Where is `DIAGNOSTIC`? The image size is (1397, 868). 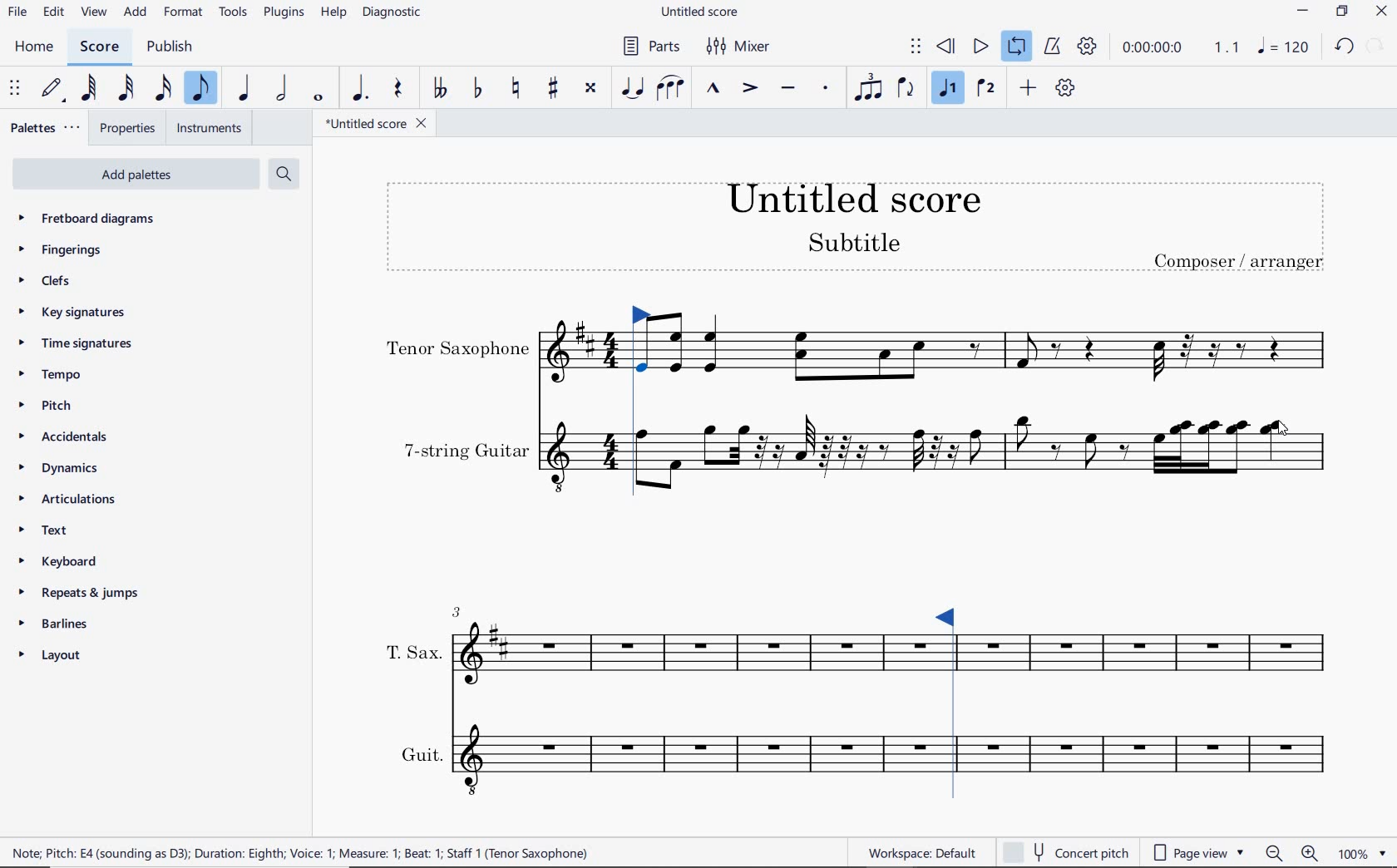
DIAGNOSTIC is located at coordinates (394, 12).